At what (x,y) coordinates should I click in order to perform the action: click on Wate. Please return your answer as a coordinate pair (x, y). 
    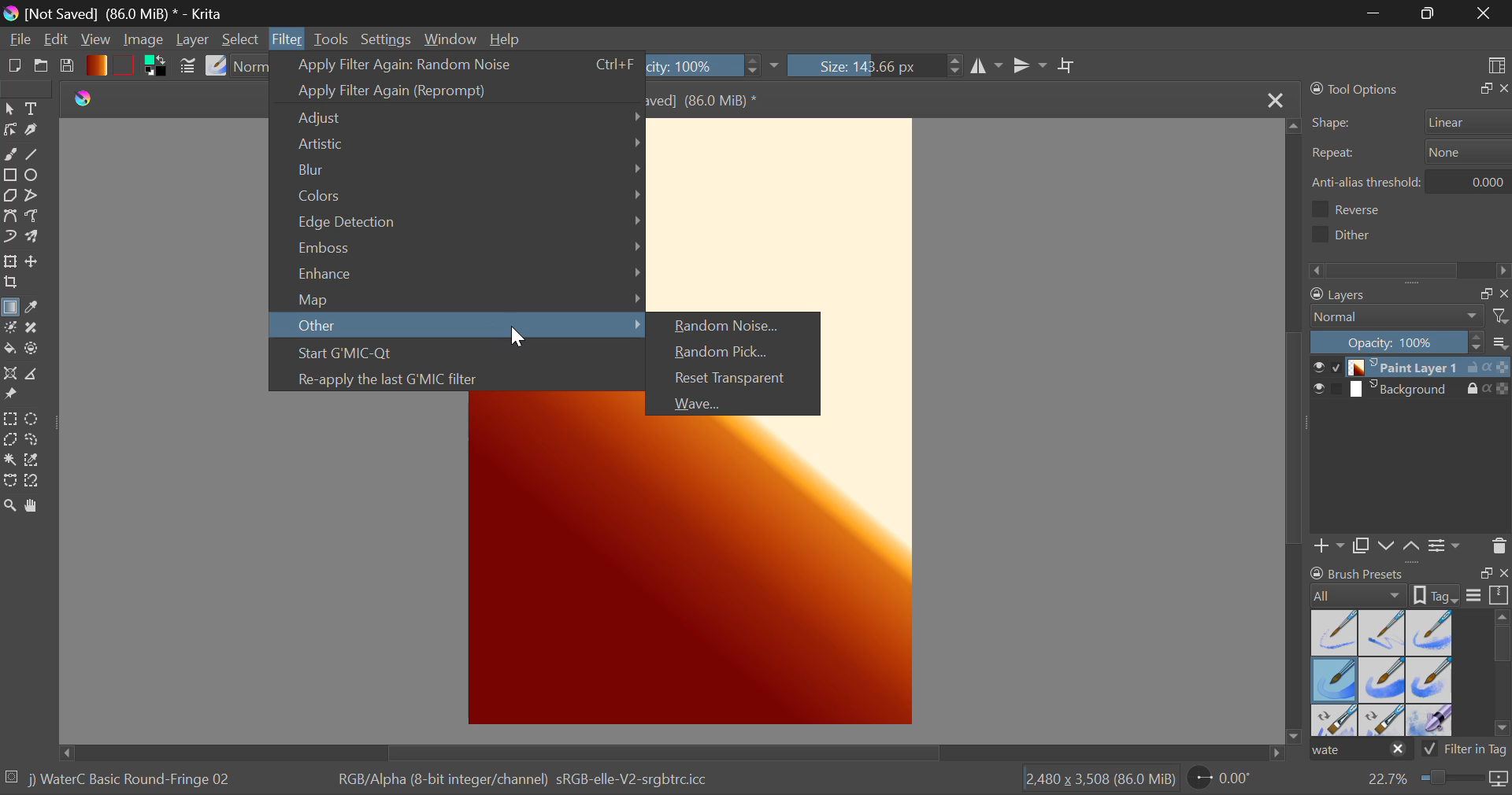
    Looking at the image, I should click on (1361, 752).